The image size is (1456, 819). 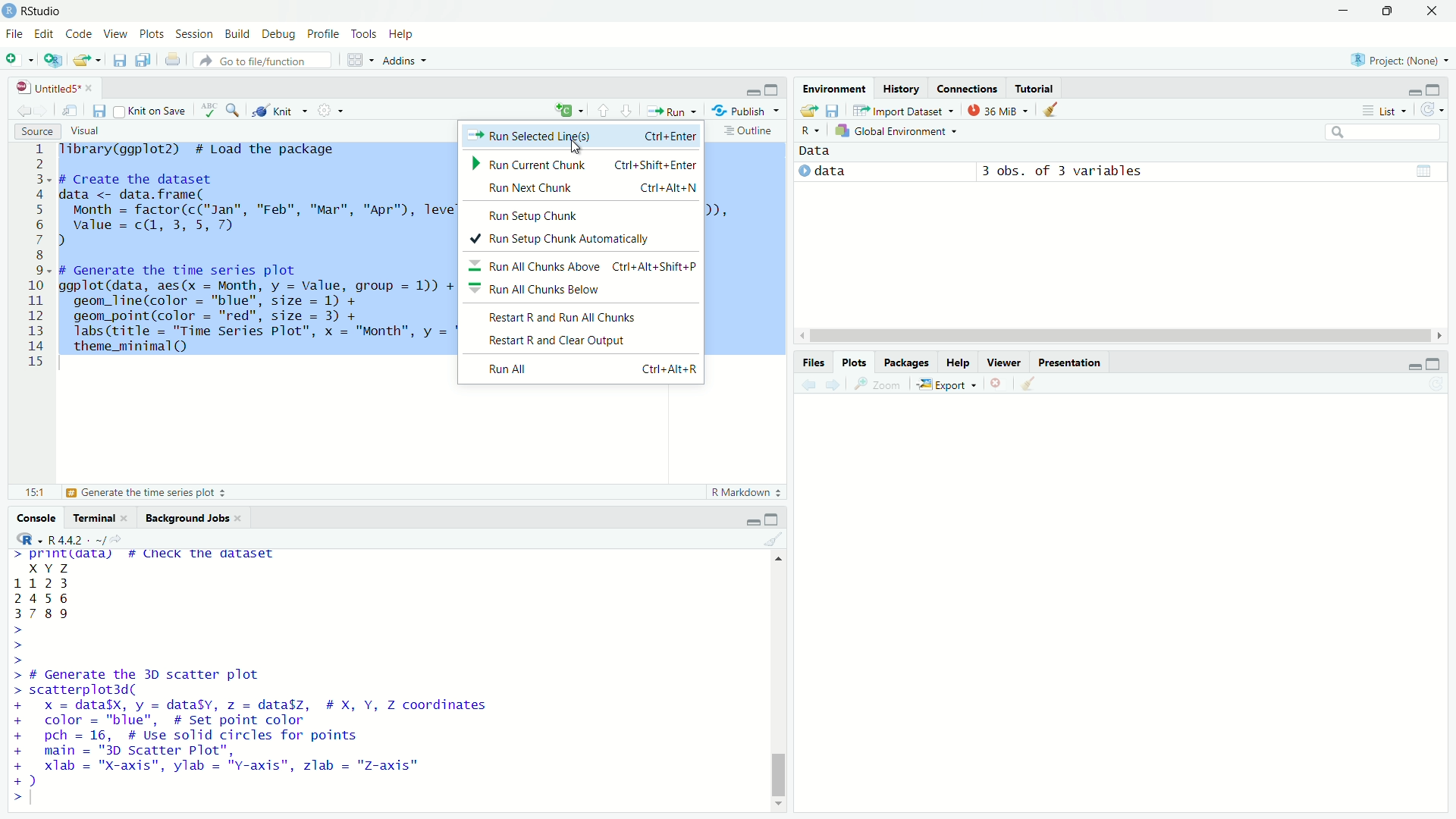 What do you see at coordinates (589, 369) in the screenshot?
I see `Run All` at bounding box center [589, 369].